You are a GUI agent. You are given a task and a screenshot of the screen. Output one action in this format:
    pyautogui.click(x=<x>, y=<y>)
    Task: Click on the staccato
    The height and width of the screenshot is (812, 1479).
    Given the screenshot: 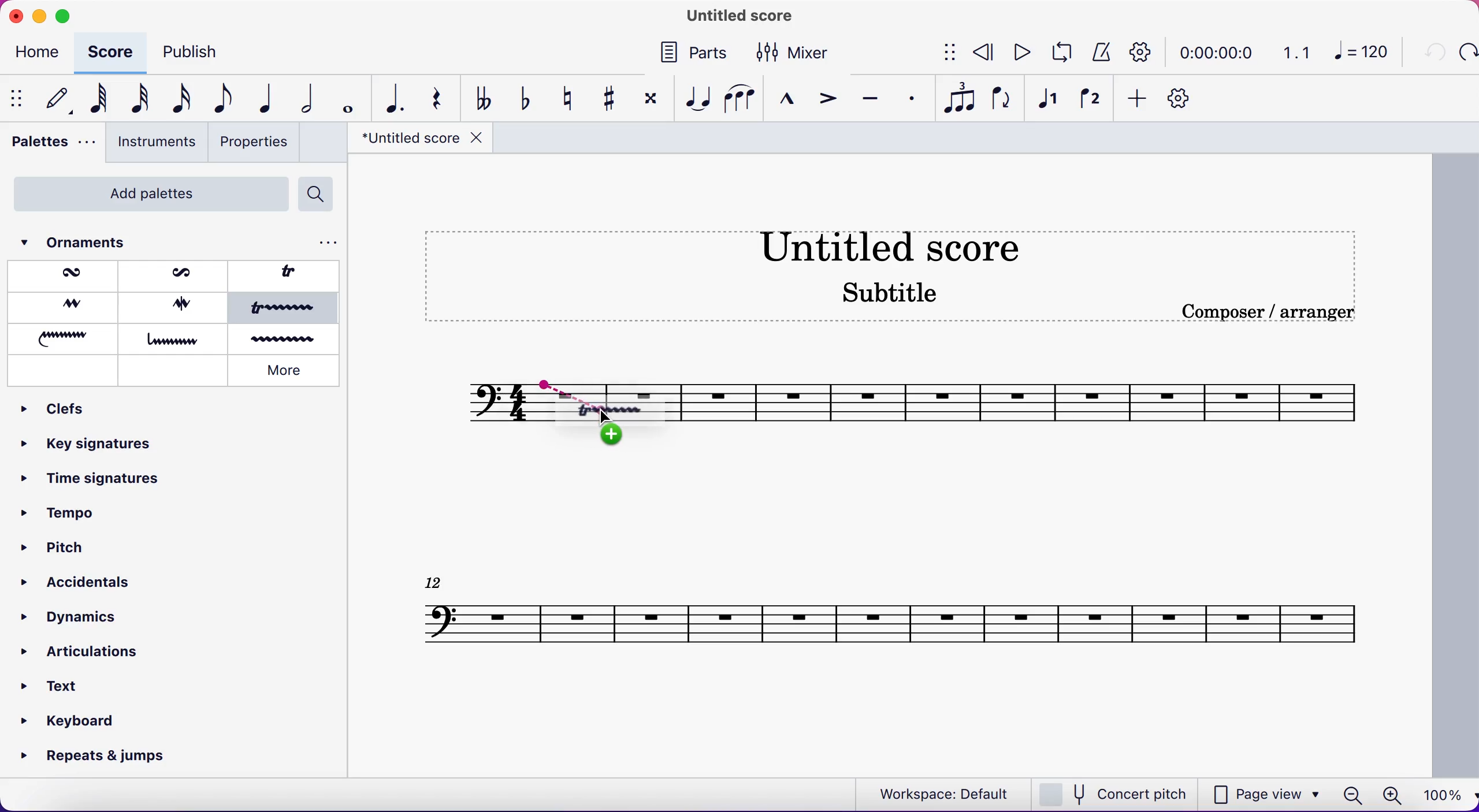 What is the action you would take?
    pyautogui.click(x=909, y=98)
    